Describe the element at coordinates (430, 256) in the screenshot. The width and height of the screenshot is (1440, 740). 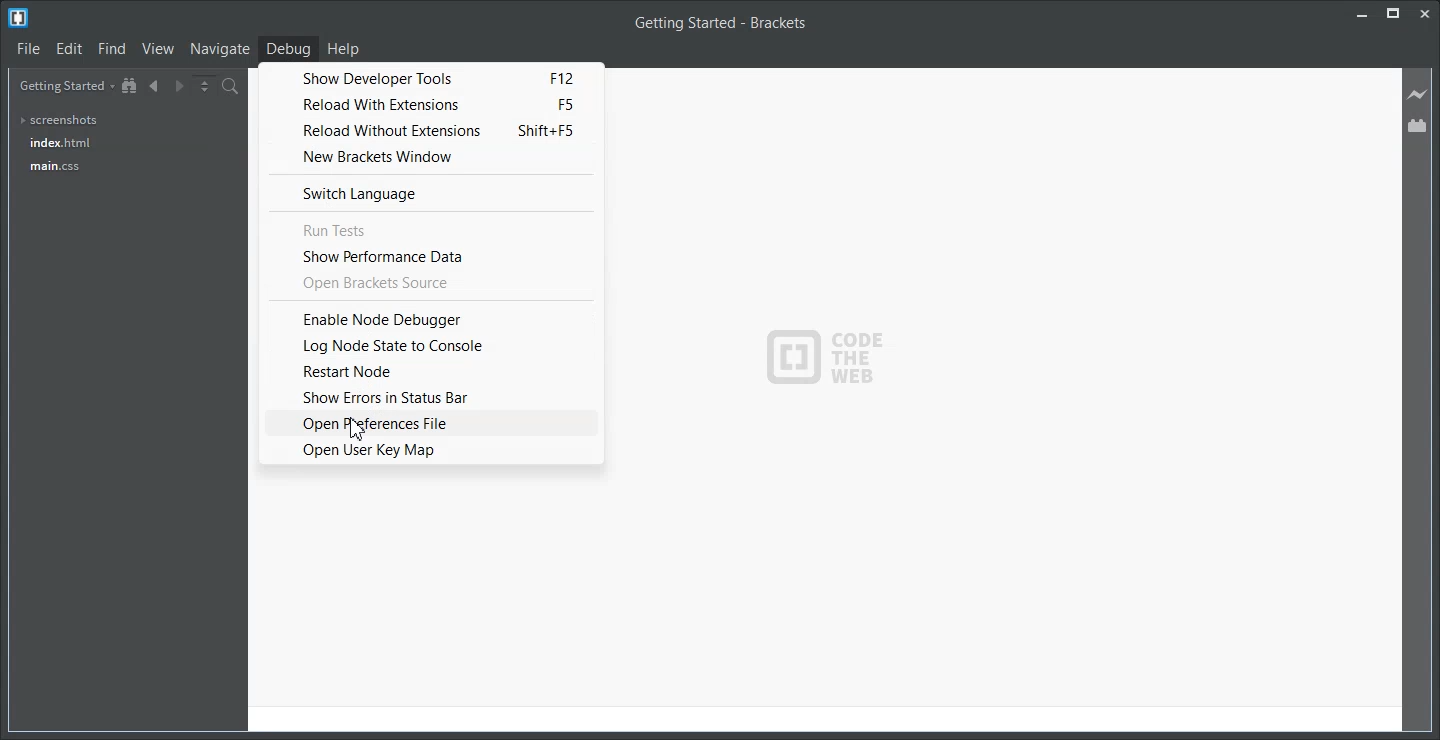
I see `Show Performance Data` at that location.